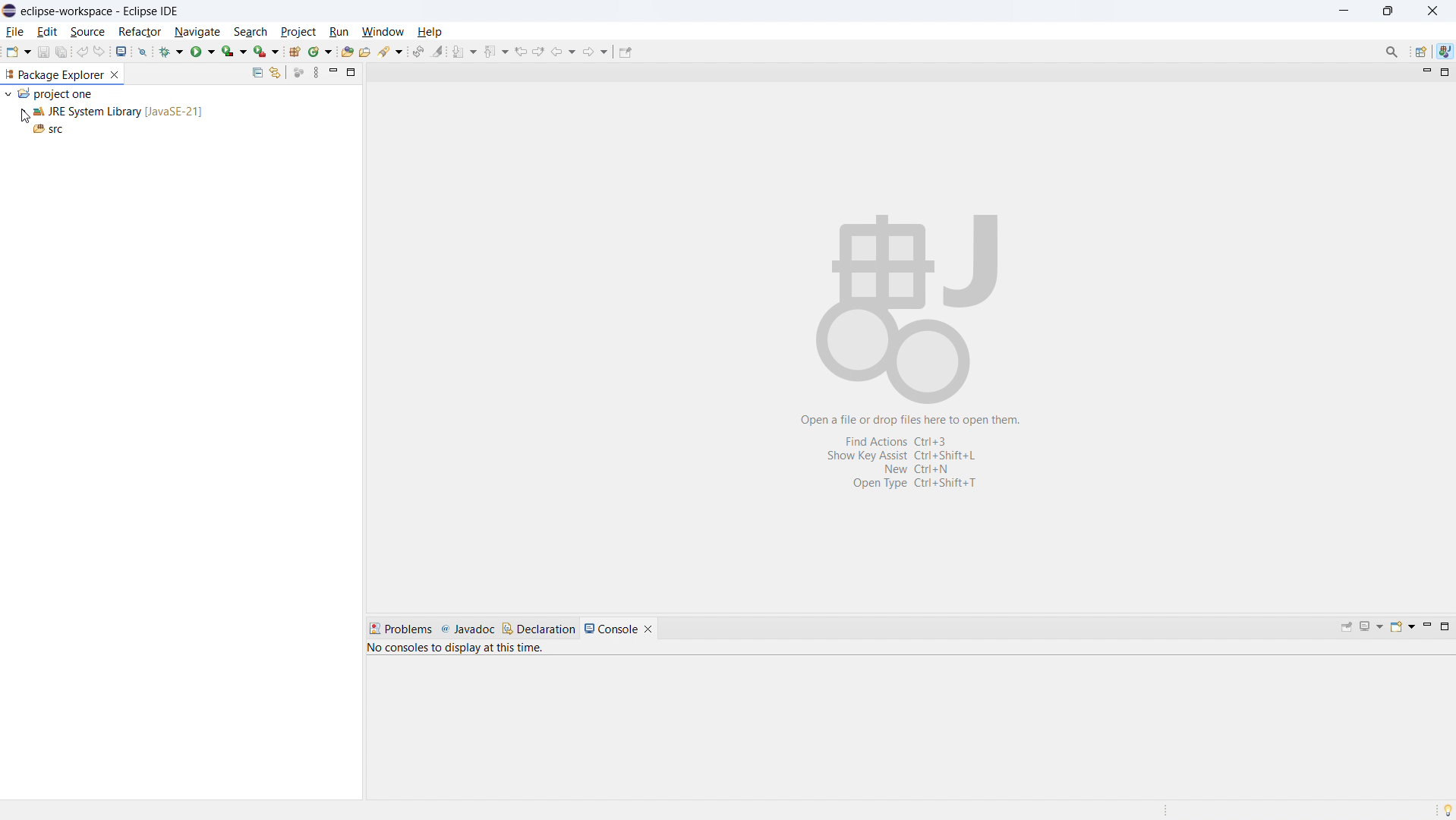 Image resolution: width=1456 pixels, height=820 pixels. What do you see at coordinates (563, 50) in the screenshot?
I see `back` at bounding box center [563, 50].